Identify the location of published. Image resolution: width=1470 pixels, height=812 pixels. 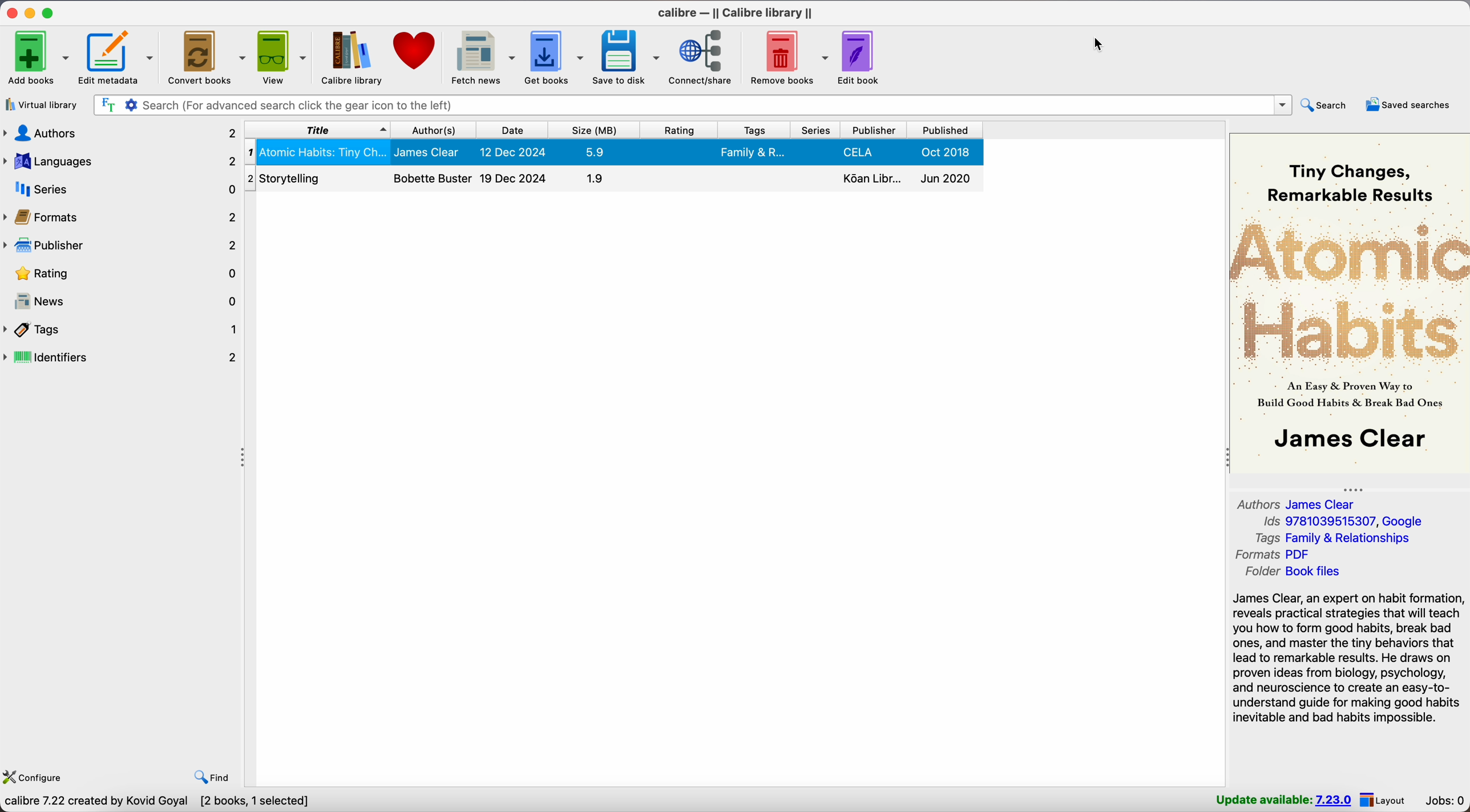
(947, 130).